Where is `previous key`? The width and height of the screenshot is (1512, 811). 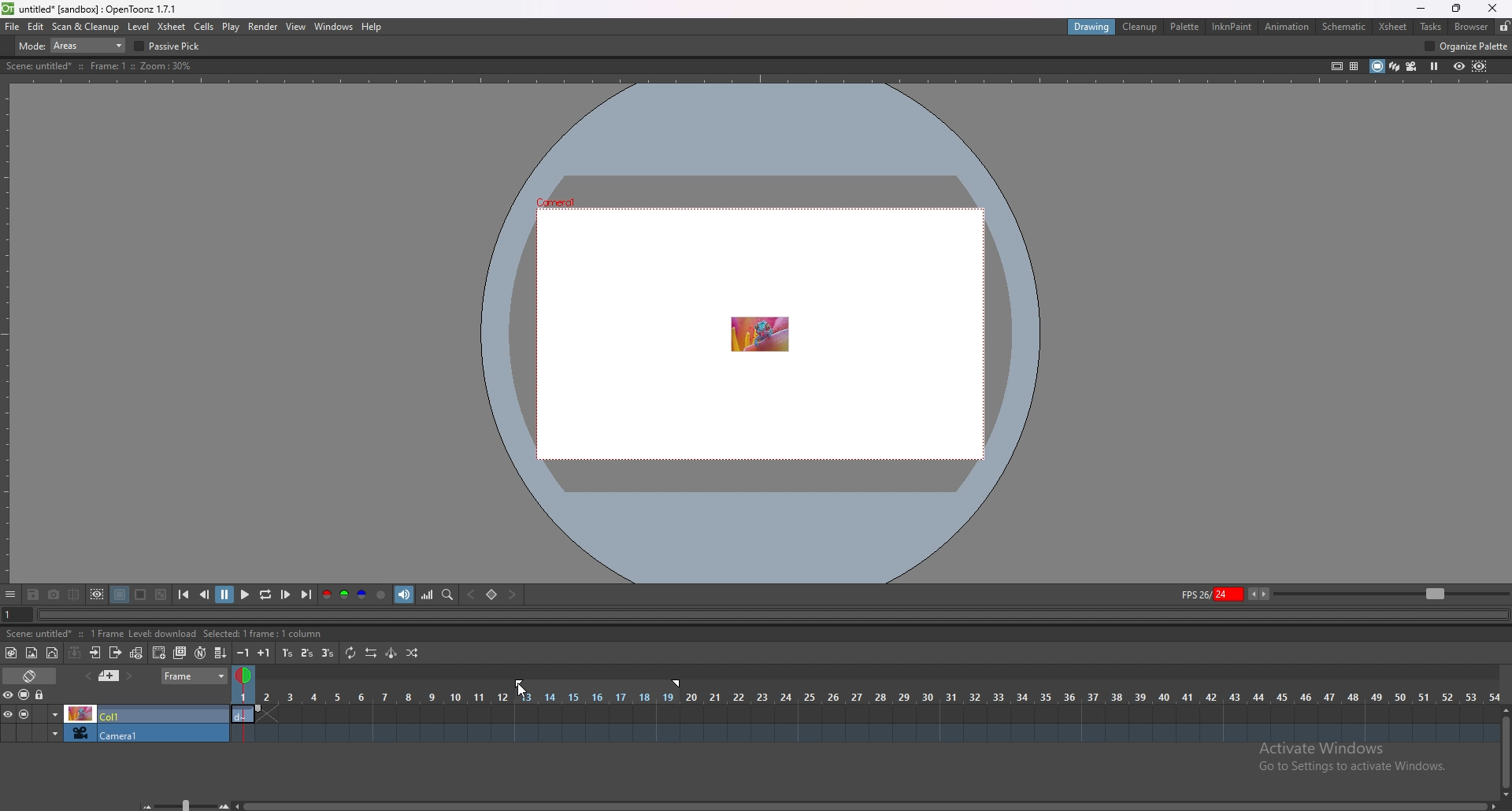 previous key is located at coordinates (472, 594).